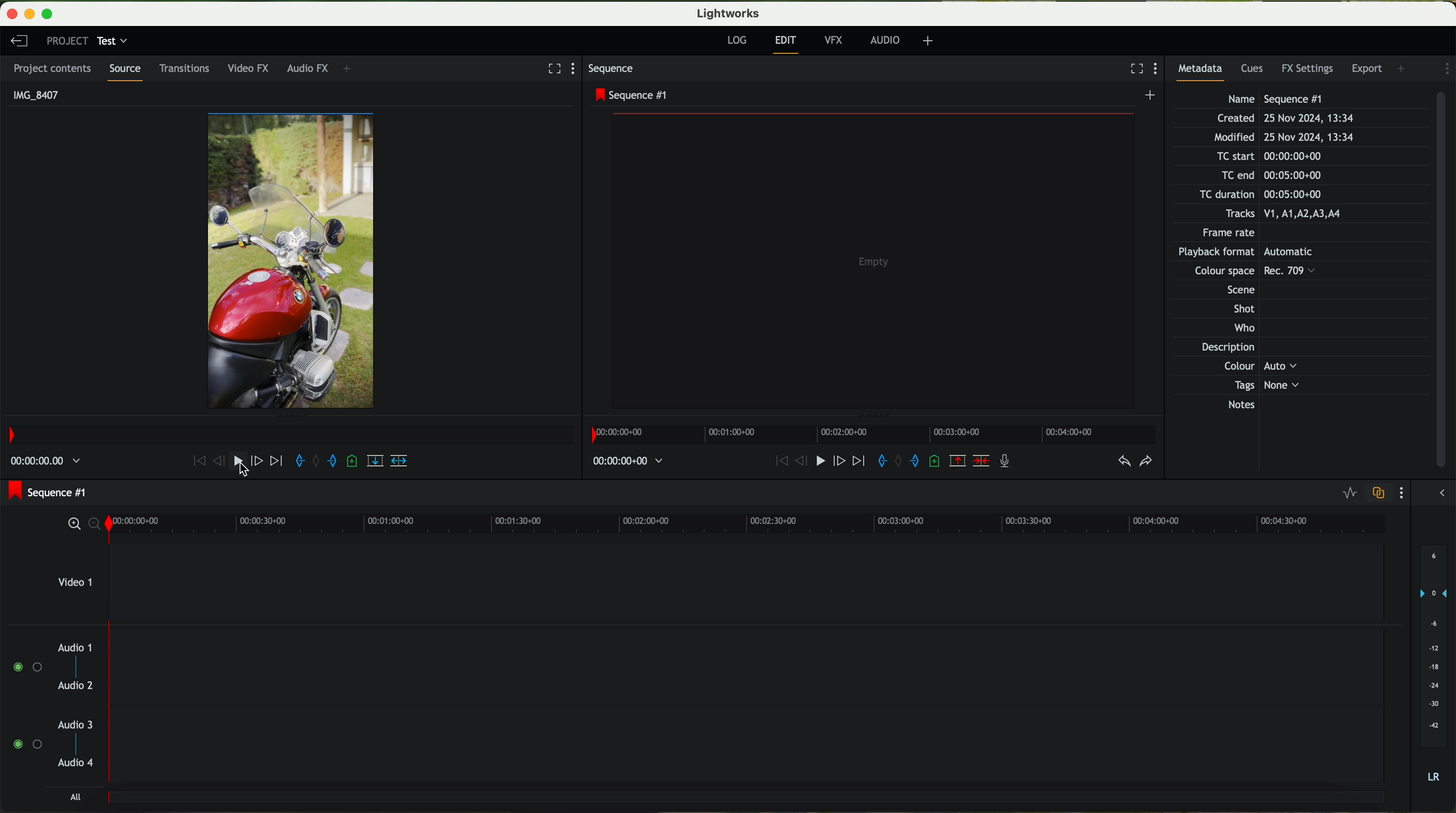  Describe the element at coordinates (1006, 460) in the screenshot. I see `record a voice over` at that location.